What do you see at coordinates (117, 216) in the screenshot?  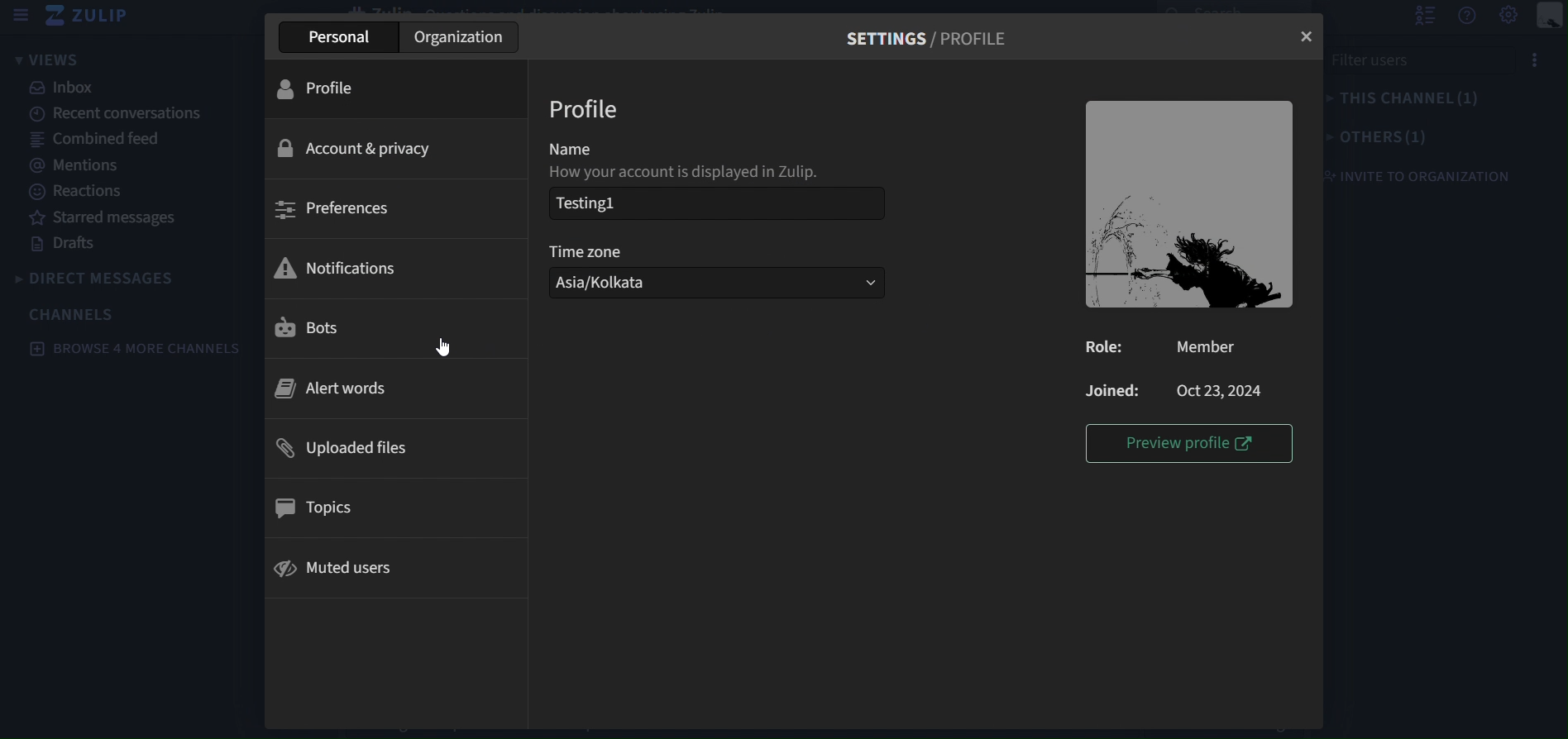 I see `starred messages` at bounding box center [117, 216].